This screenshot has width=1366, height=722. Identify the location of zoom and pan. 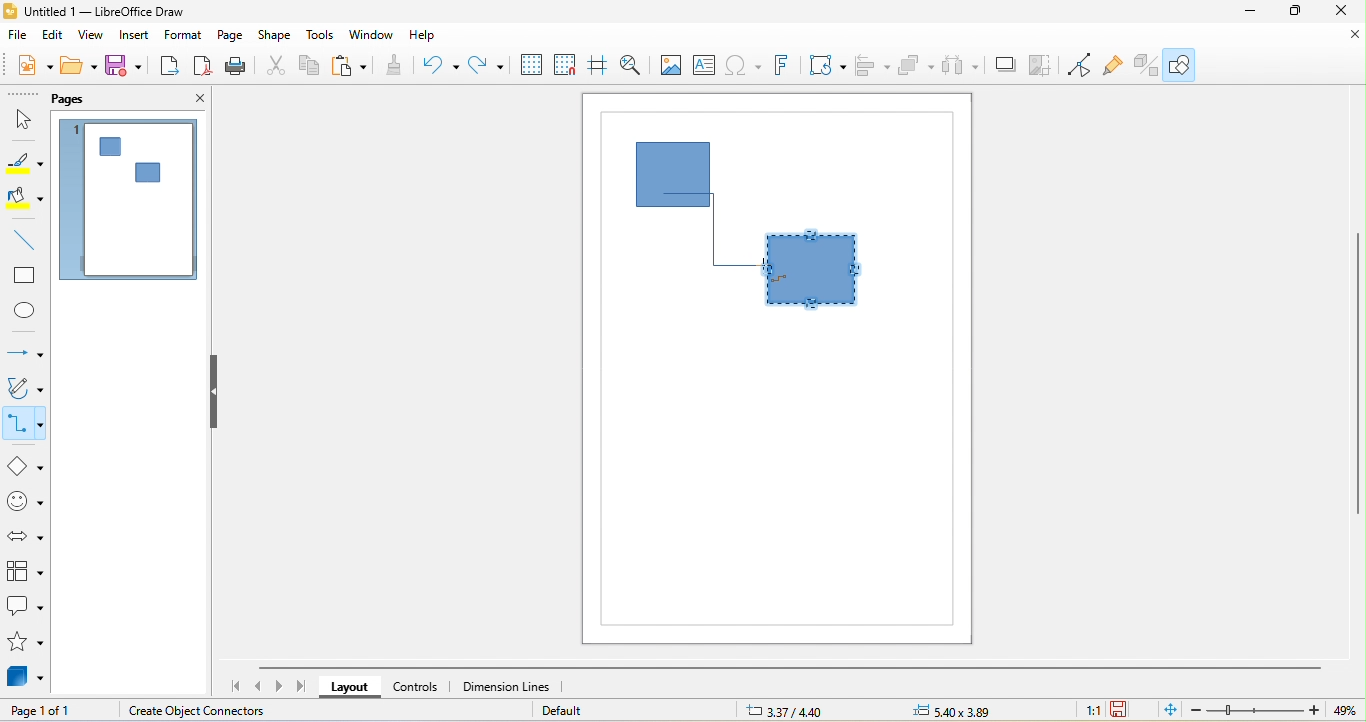
(634, 65).